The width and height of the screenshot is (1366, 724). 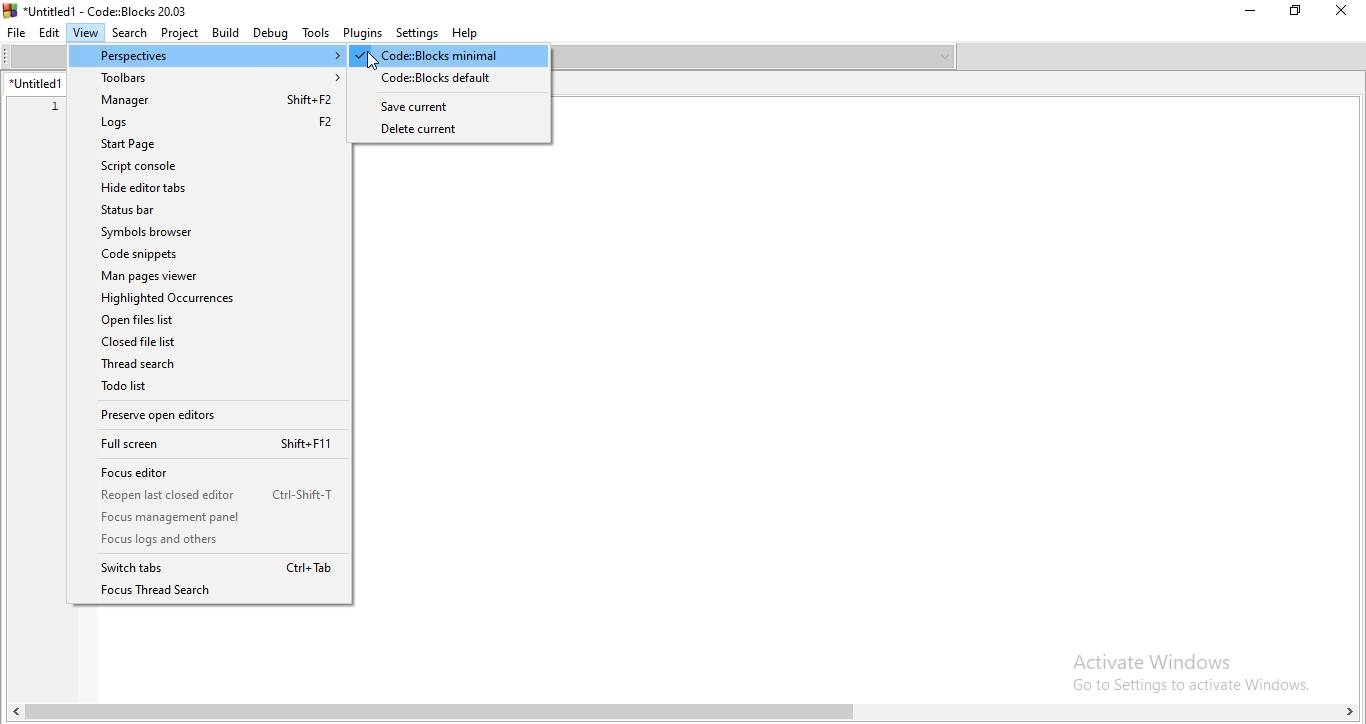 What do you see at coordinates (374, 63) in the screenshot?
I see `cursor on Code: Block minimal` at bounding box center [374, 63].